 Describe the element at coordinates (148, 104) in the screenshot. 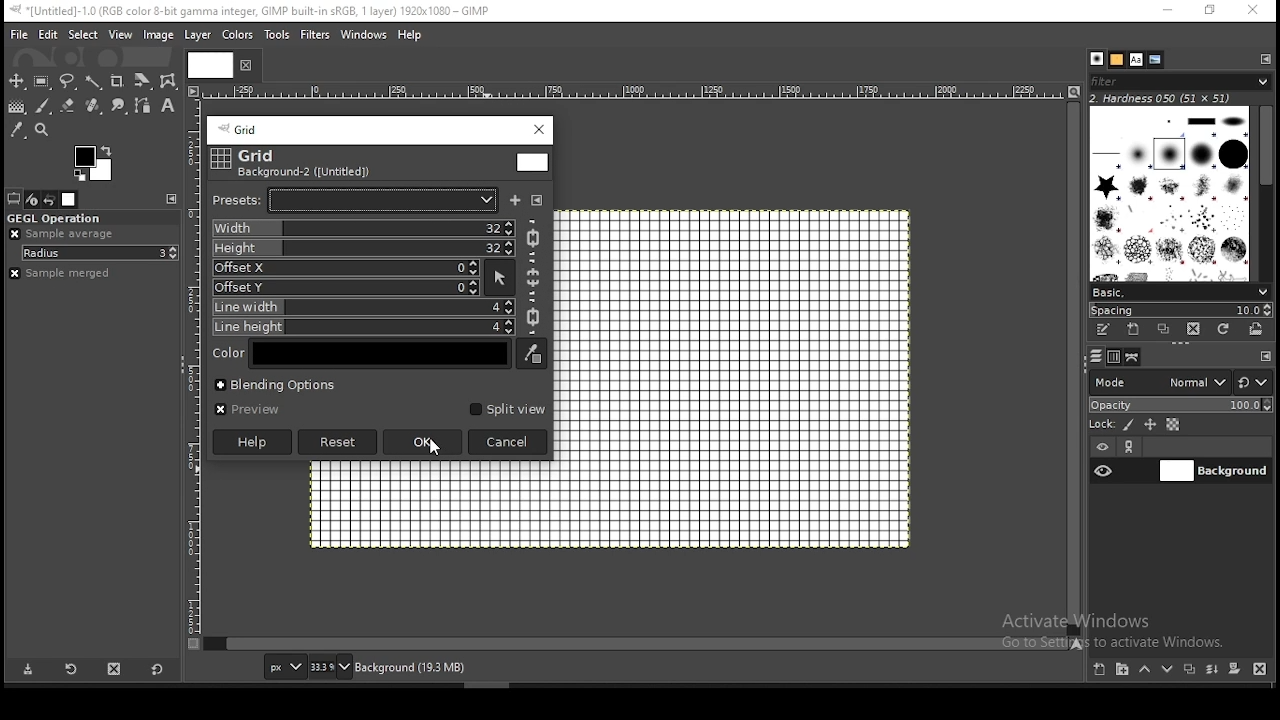

I see `paths tool` at that location.